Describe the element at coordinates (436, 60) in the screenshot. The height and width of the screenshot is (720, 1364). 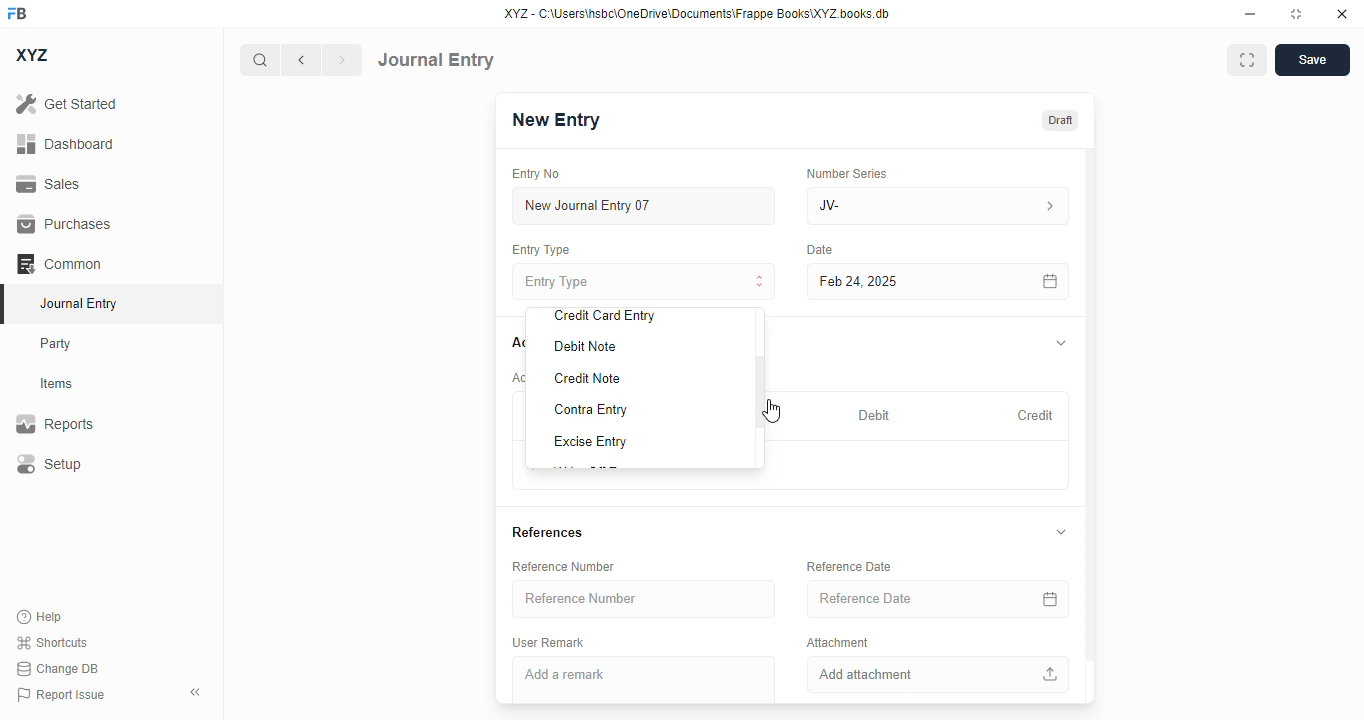
I see `journal entry` at that location.